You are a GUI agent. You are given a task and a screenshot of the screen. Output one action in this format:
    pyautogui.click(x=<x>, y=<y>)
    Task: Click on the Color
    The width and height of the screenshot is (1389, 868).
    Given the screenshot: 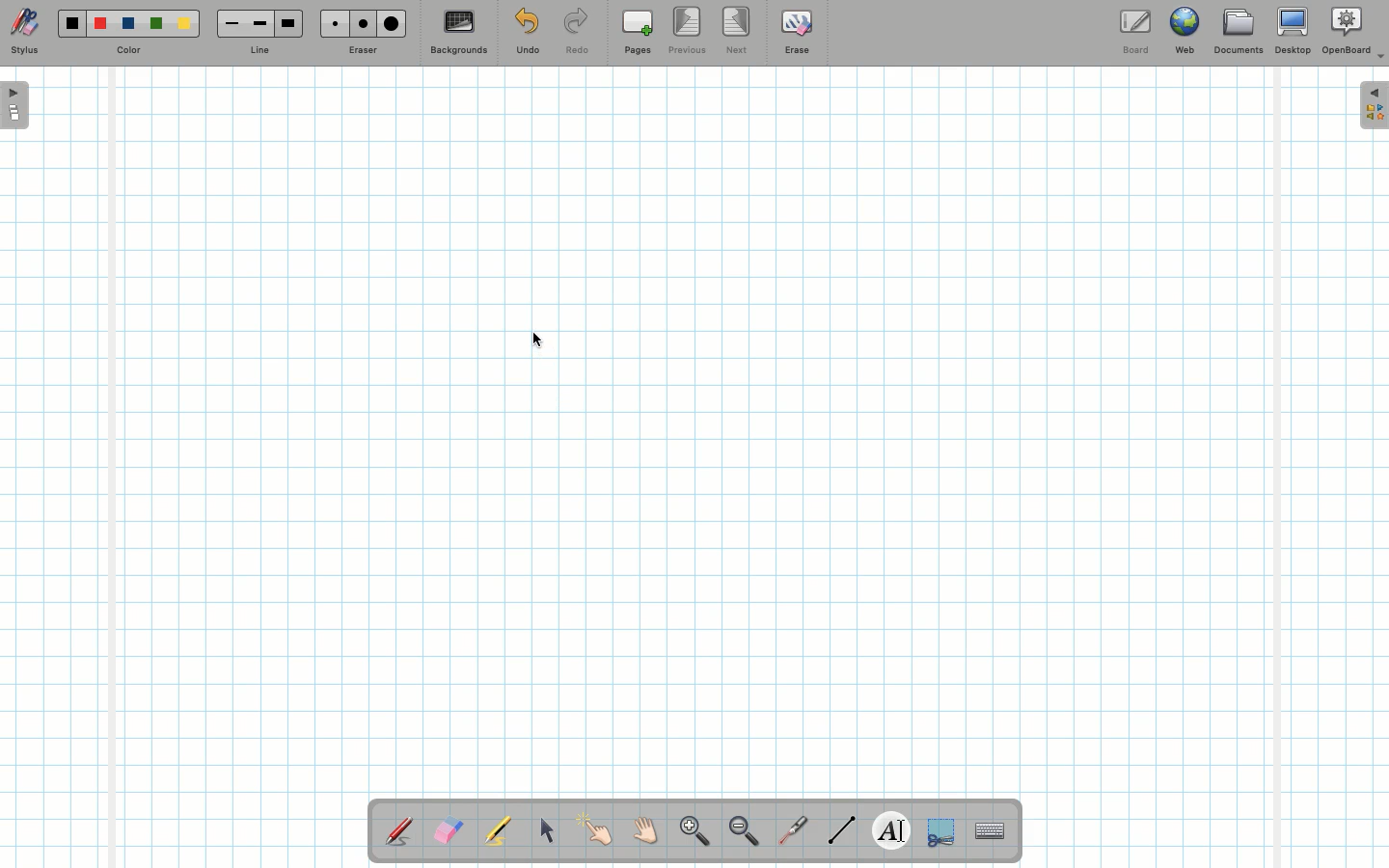 What is the action you would take?
    pyautogui.click(x=126, y=51)
    